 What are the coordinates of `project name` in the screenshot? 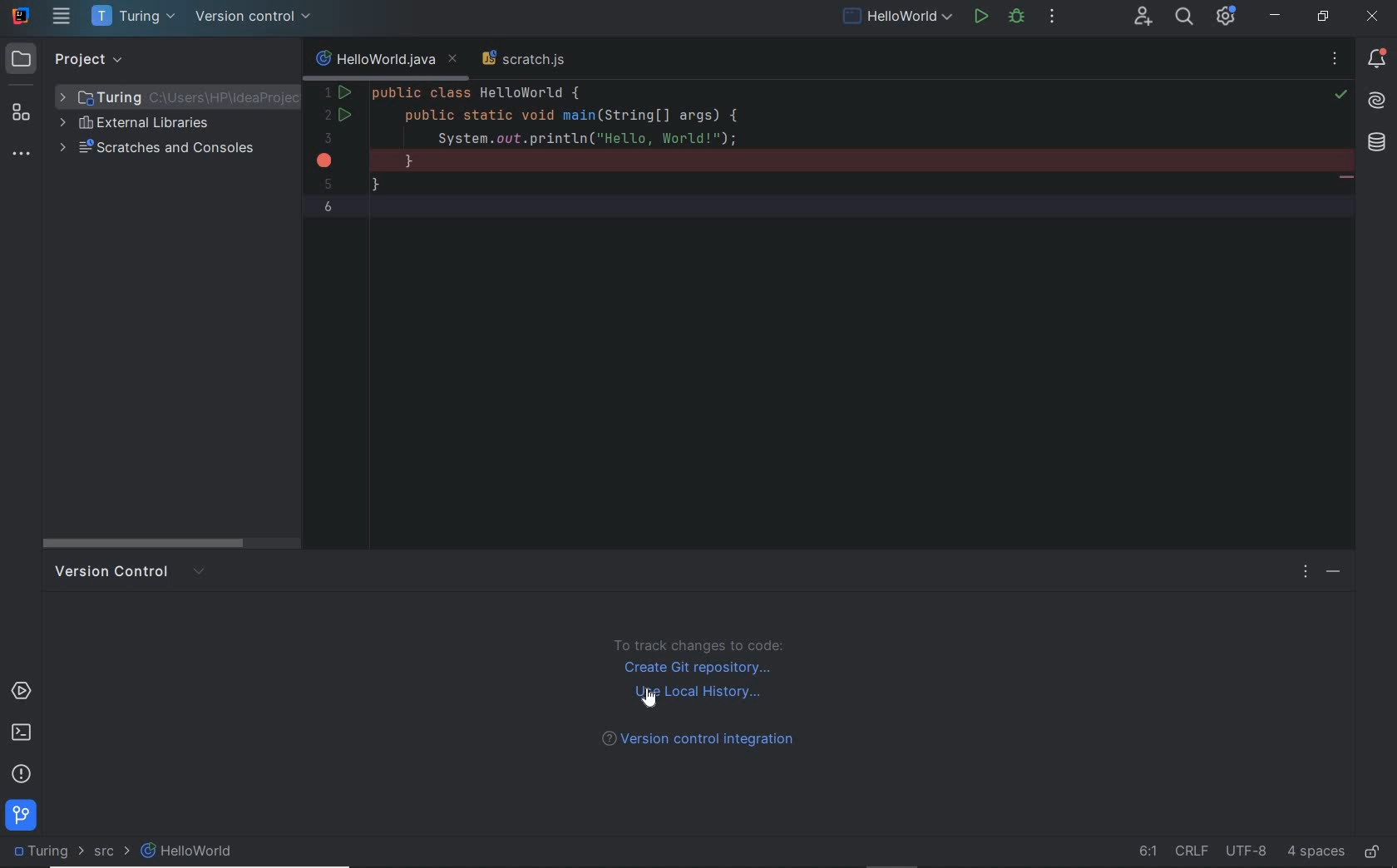 It's located at (47, 851).